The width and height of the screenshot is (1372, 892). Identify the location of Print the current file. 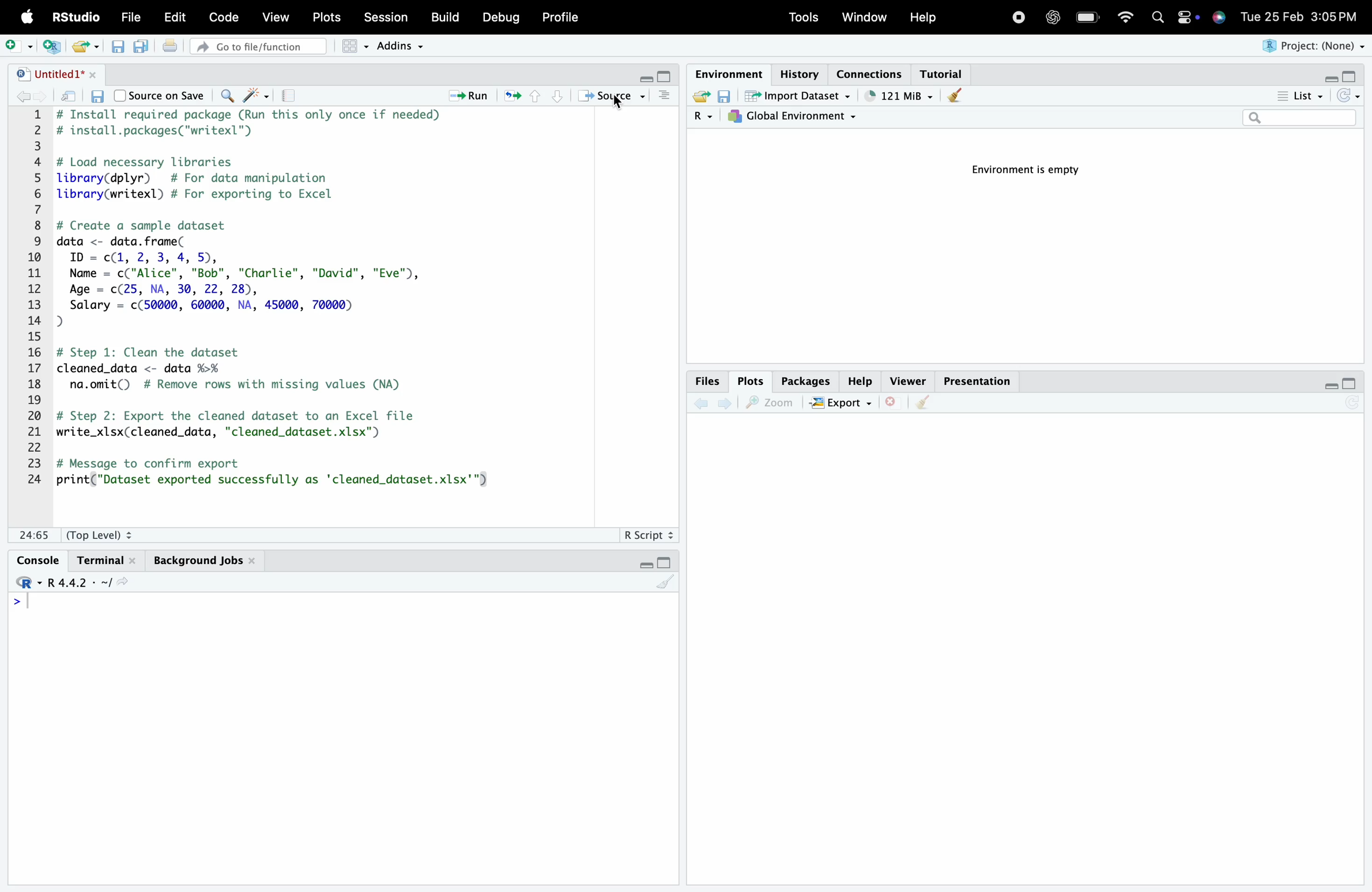
(170, 47).